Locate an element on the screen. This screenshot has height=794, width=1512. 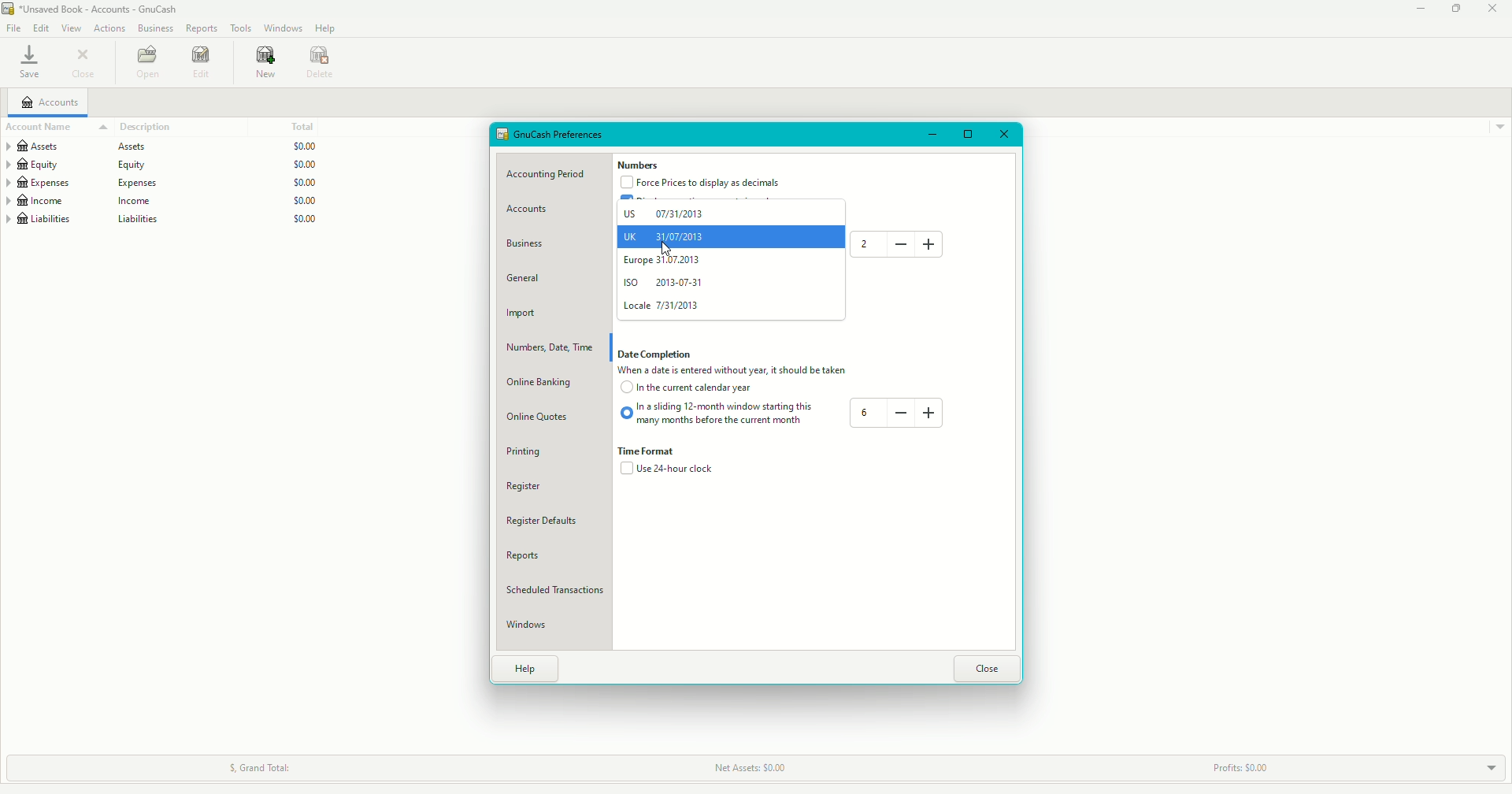
Edit is located at coordinates (43, 28).